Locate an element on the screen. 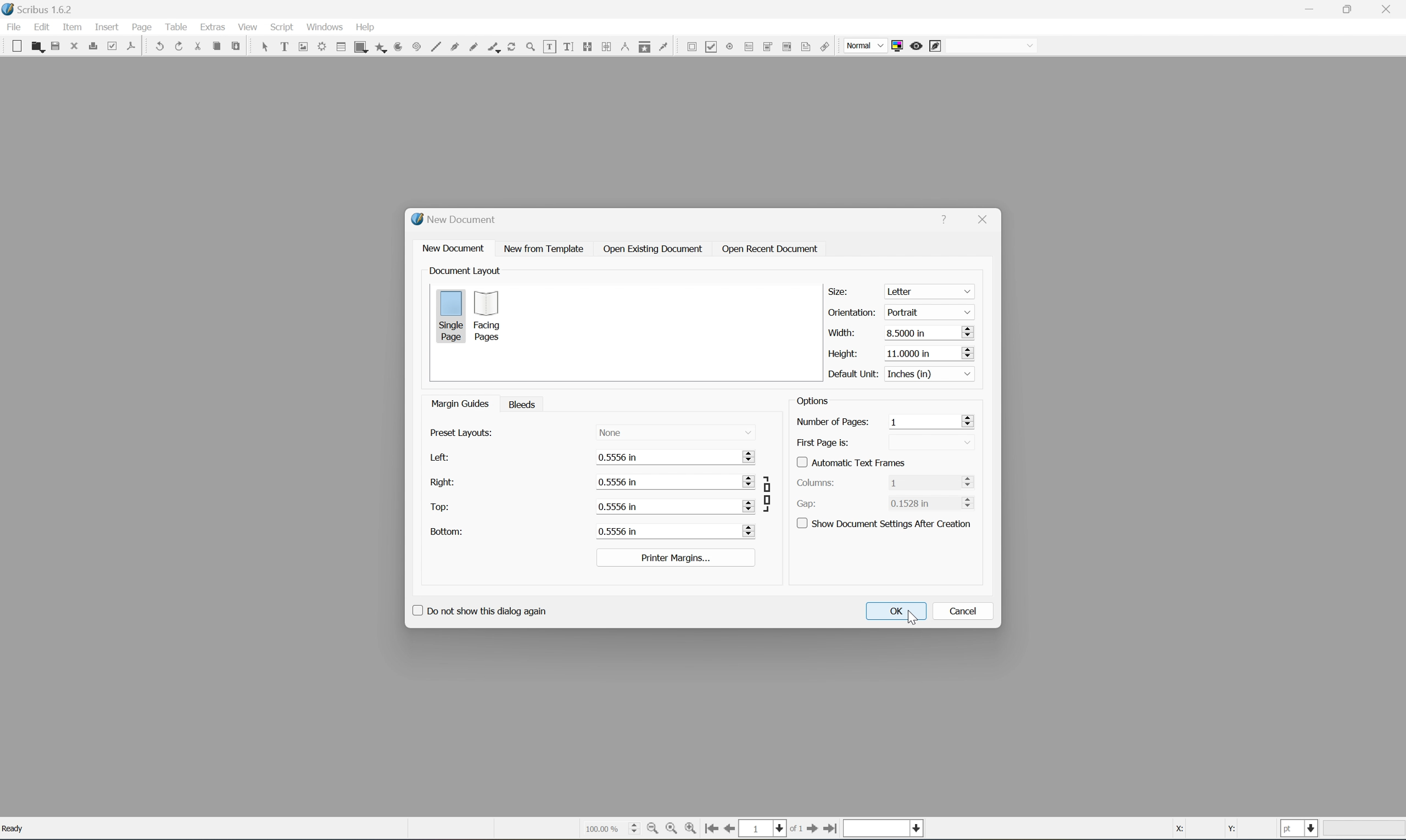 The width and height of the screenshot is (1406, 840). file is located at coordinates (14, 27).